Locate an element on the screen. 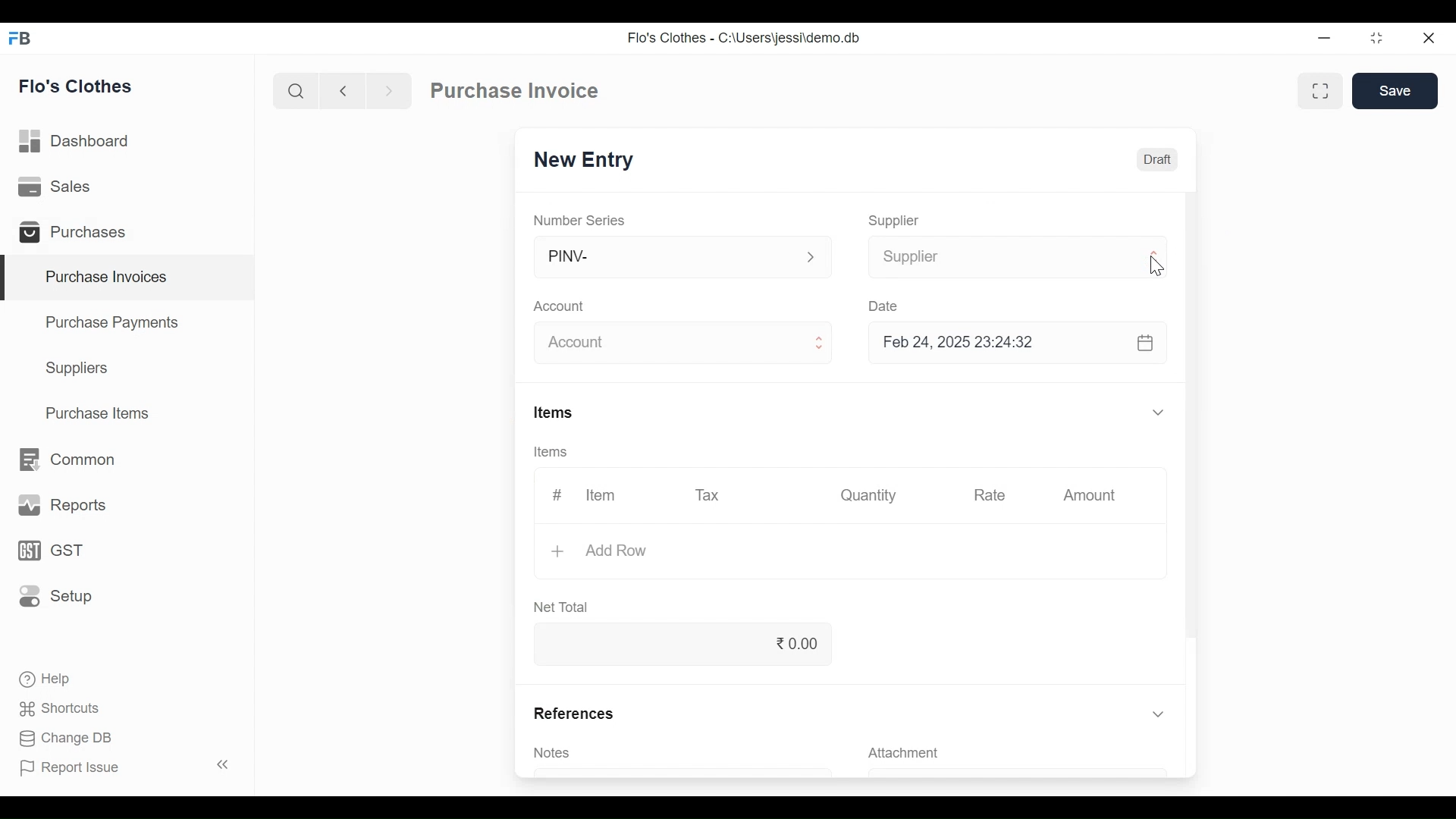 The height and width of the screenshot is (819, 1456). References is located at coordinates (572, 713).